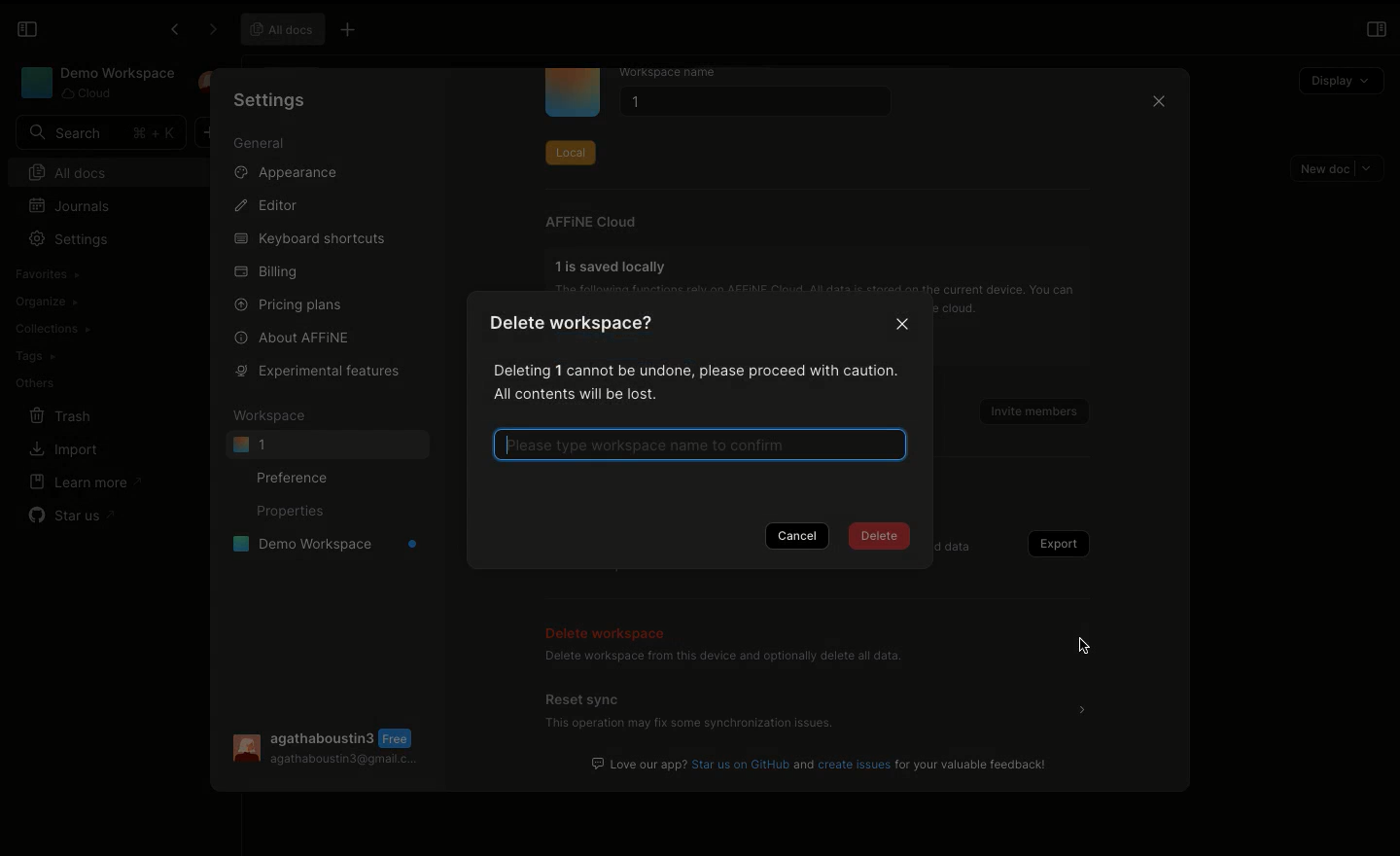 This screenshot has height=856, width=1400. I want to click on Display, so click(1340, 78).